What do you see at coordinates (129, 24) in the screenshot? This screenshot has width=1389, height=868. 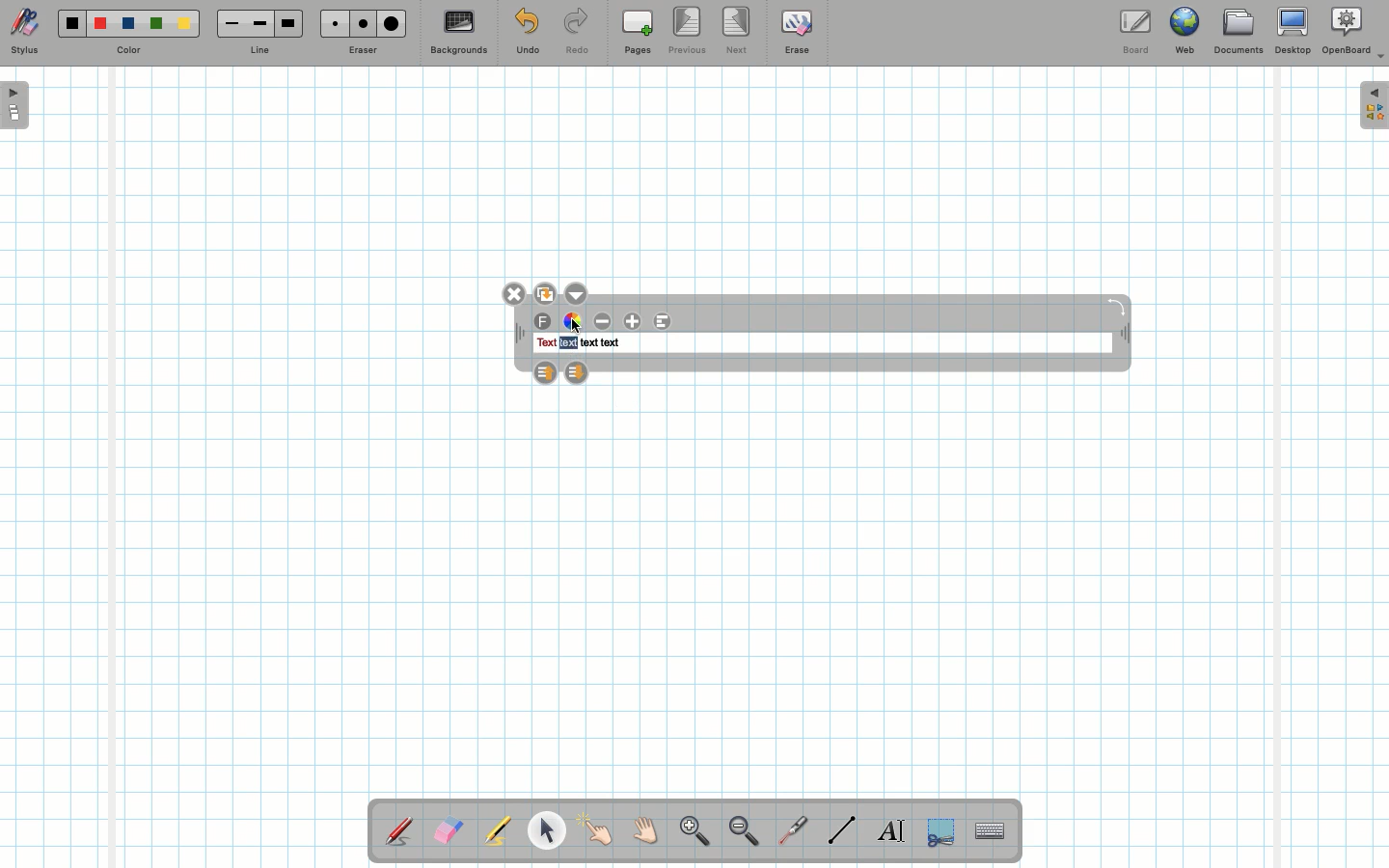 I see `Blue` at bounding box center [129, 24].